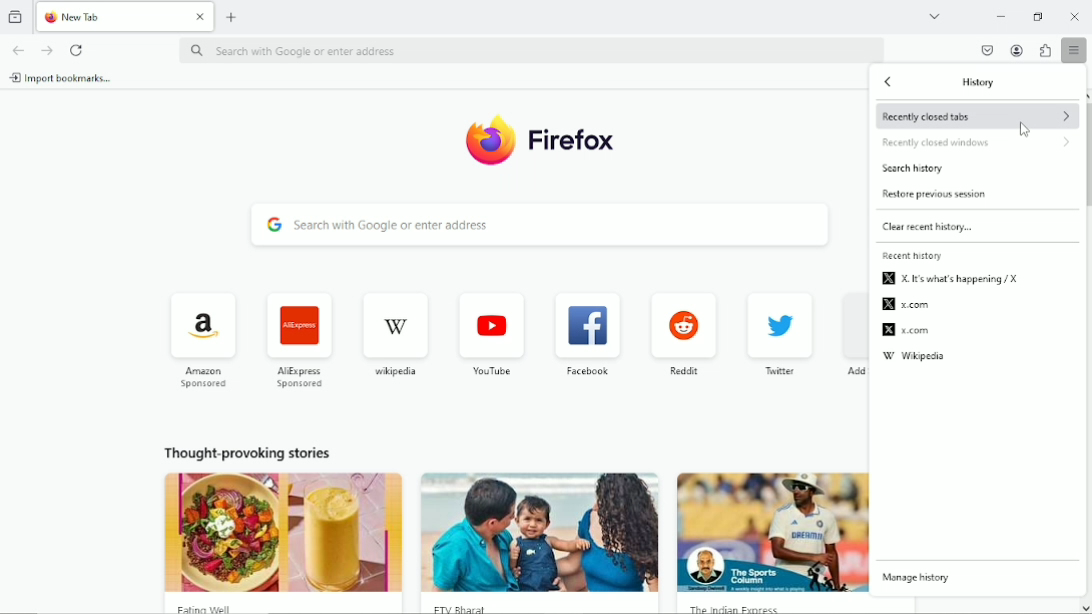 Image resolution: width=1092 pixels, height=614 pixels. Describe the element at coordinates (539, 229) in the screenshot. I see `search with Google or enter address` at that location.